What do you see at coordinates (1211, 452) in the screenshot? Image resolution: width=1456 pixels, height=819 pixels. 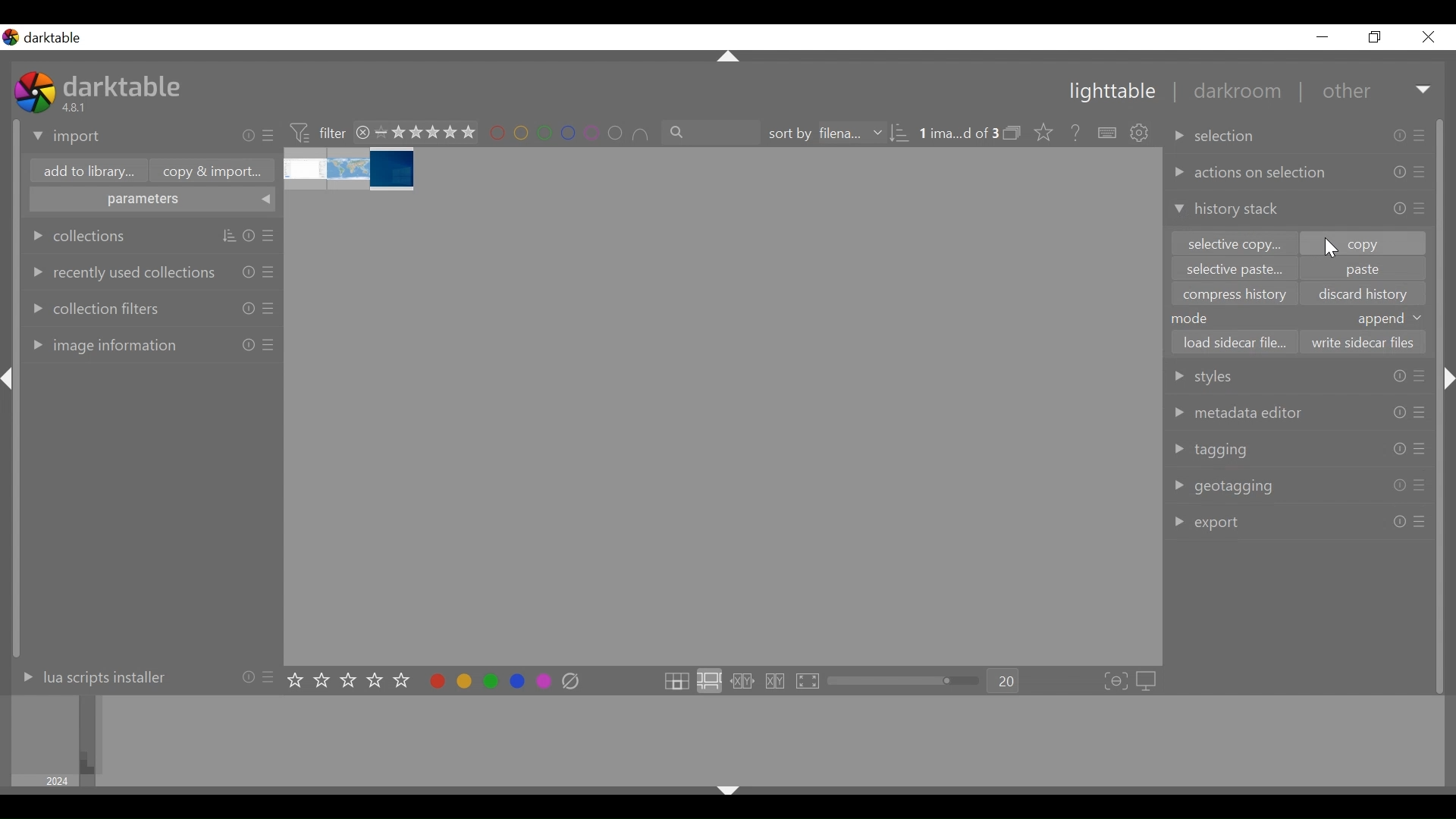 I see `tagging` at bounding box center [1211, 452].